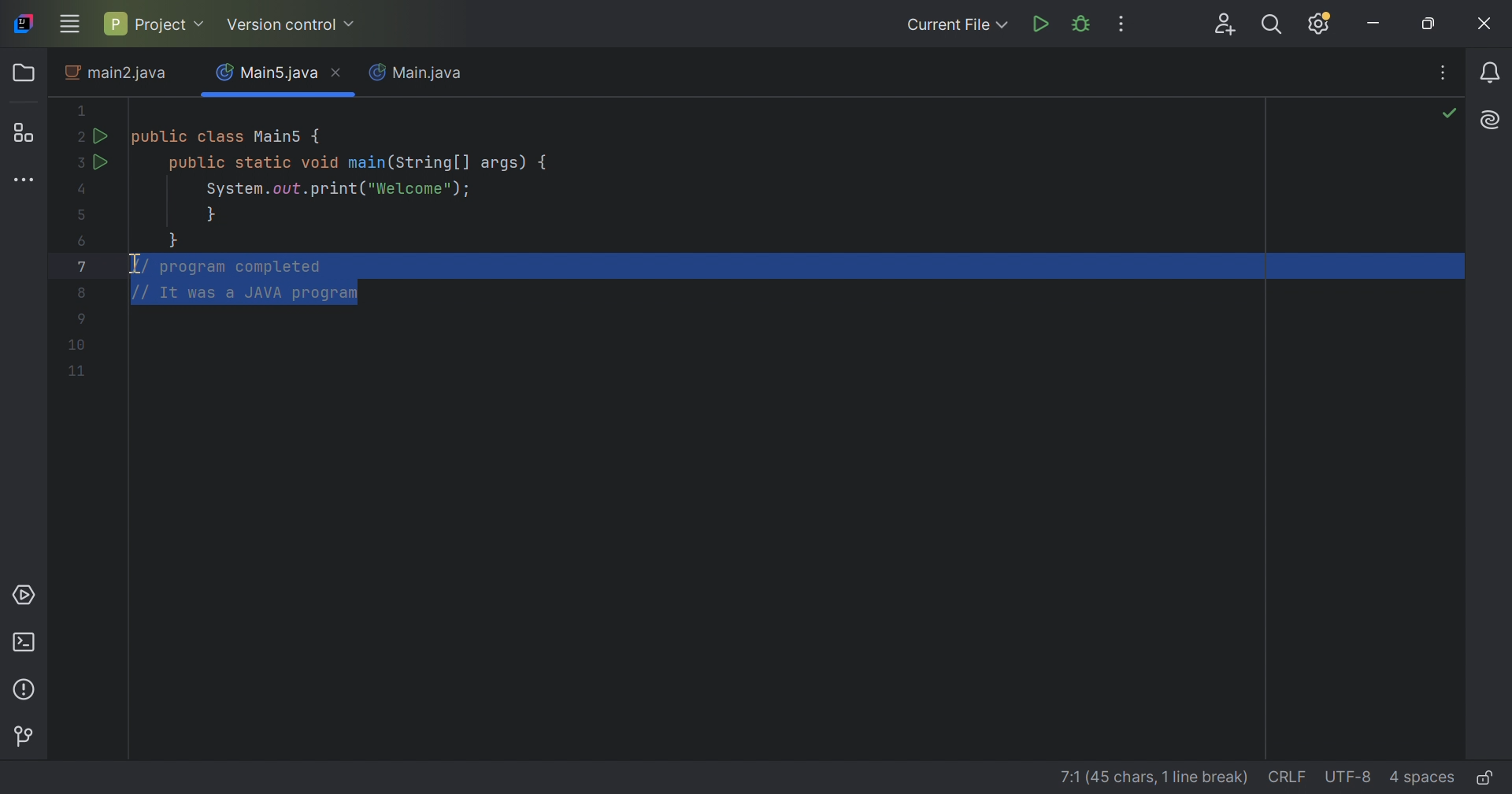 This screenshot has height=794, width=1512. I want to click on Debug, so click(1083, 24).